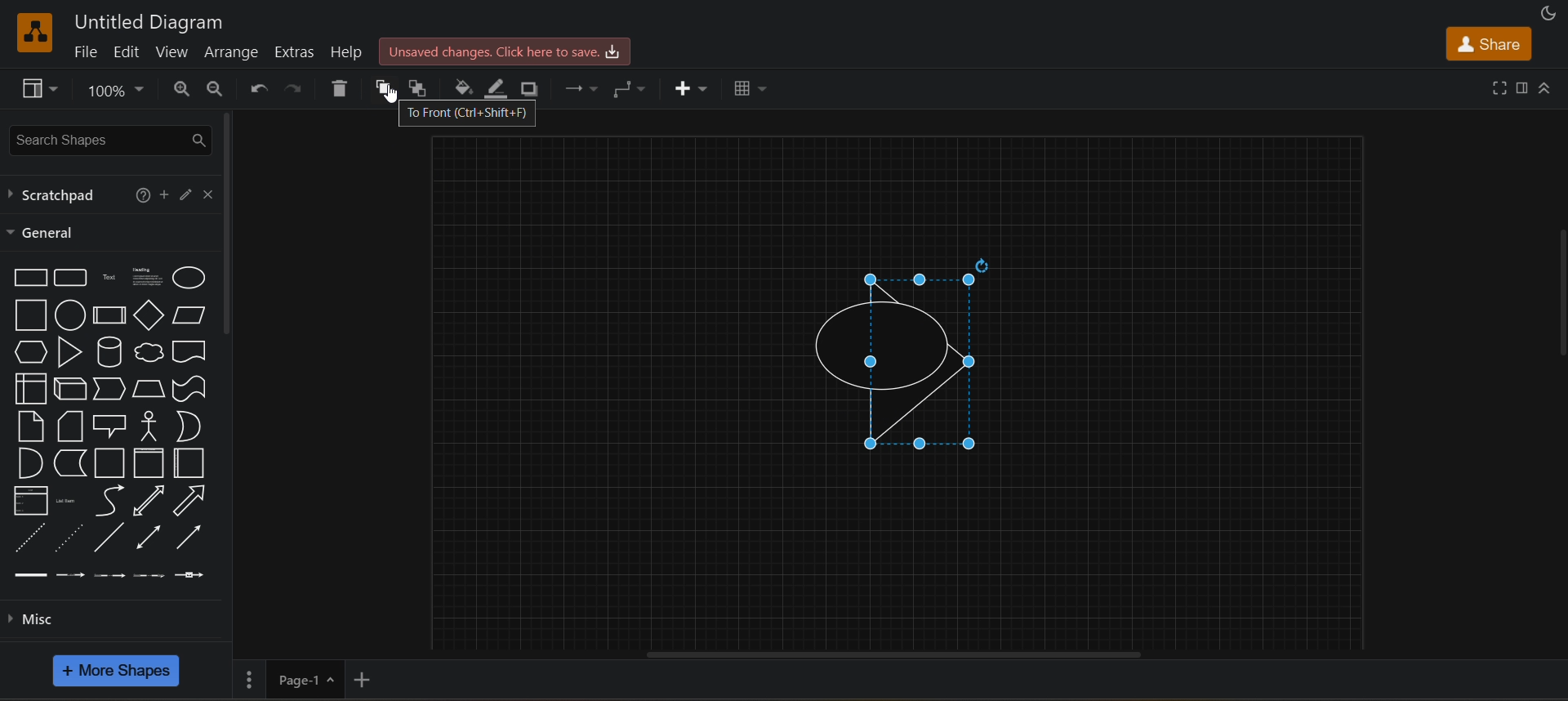  I want to click on table, so click(750, 89).